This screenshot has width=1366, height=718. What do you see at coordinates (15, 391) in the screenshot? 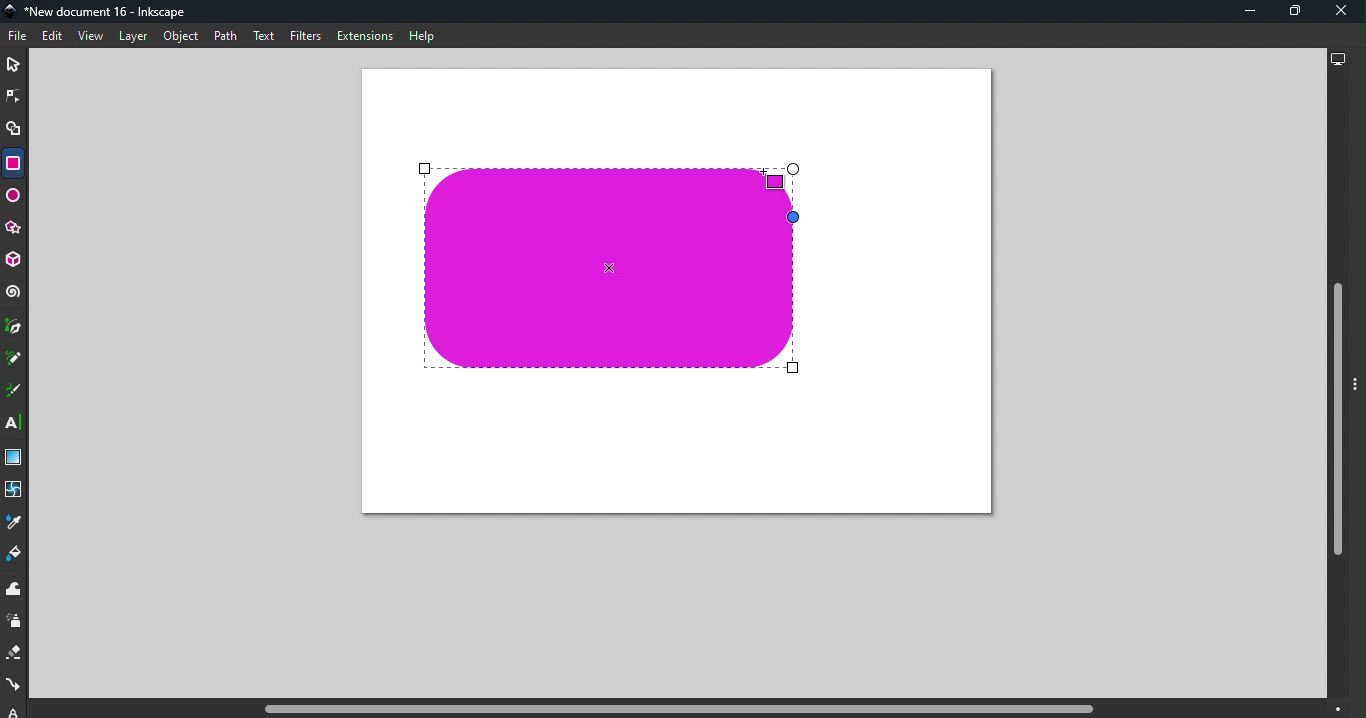
I see `Calligraphy tool` at bounding box center [15, 391].